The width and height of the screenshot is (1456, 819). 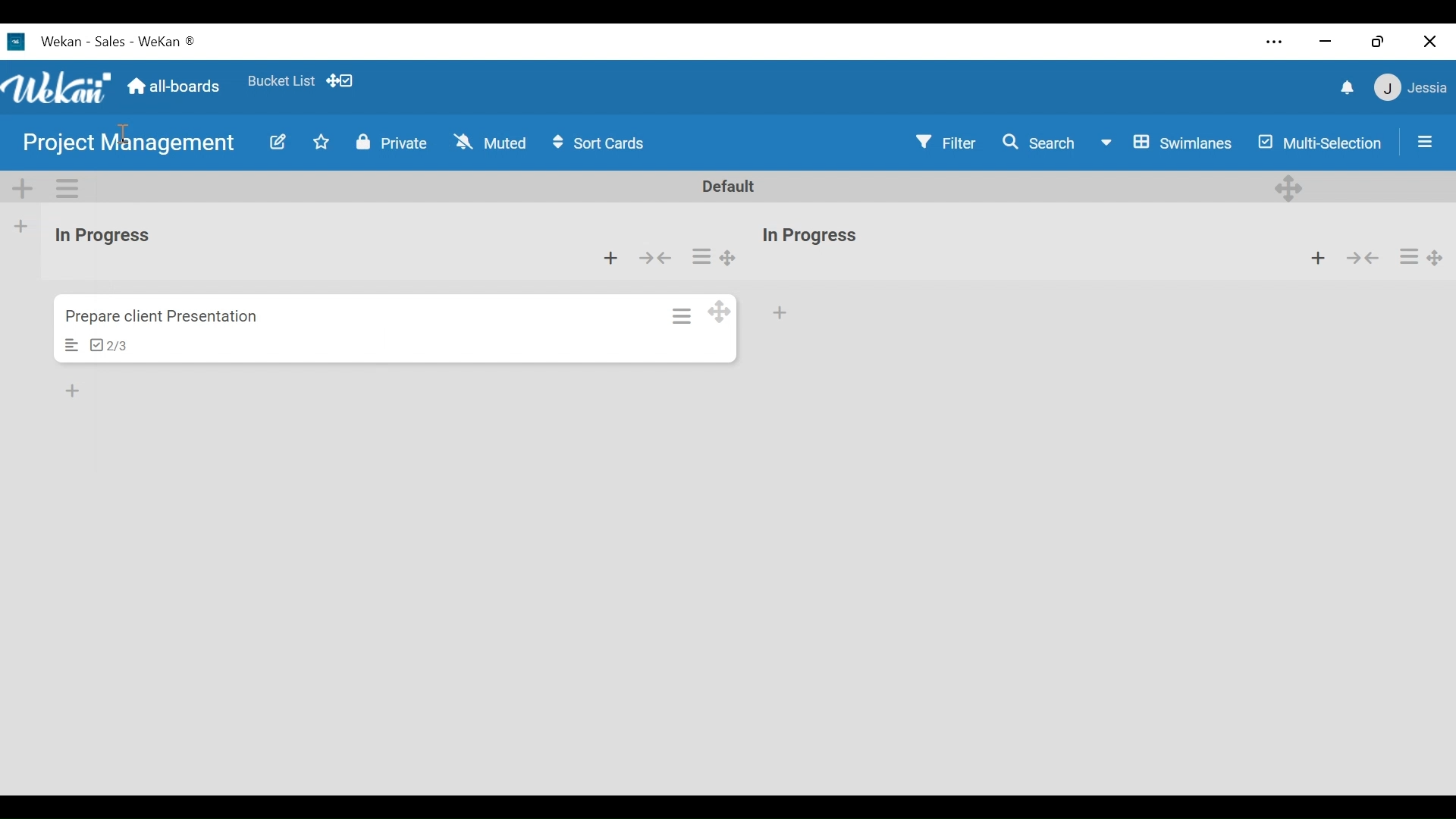 I want to click on Wekan, so click(x=81, y=40).